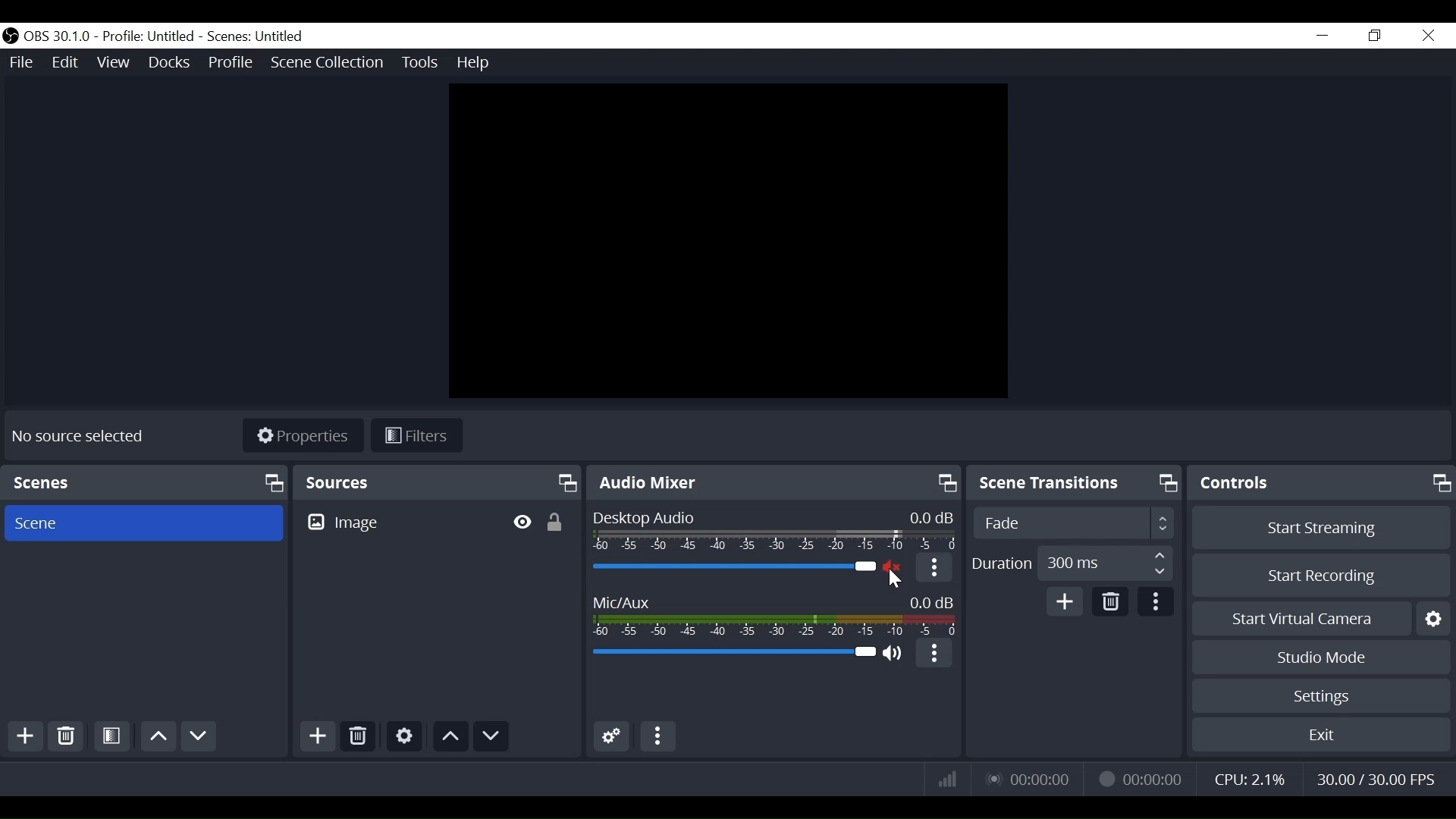  What do you see at coordinates (525, 522) in the screenshot?
I see `Hide/Display` at bounding box center [525, 522].